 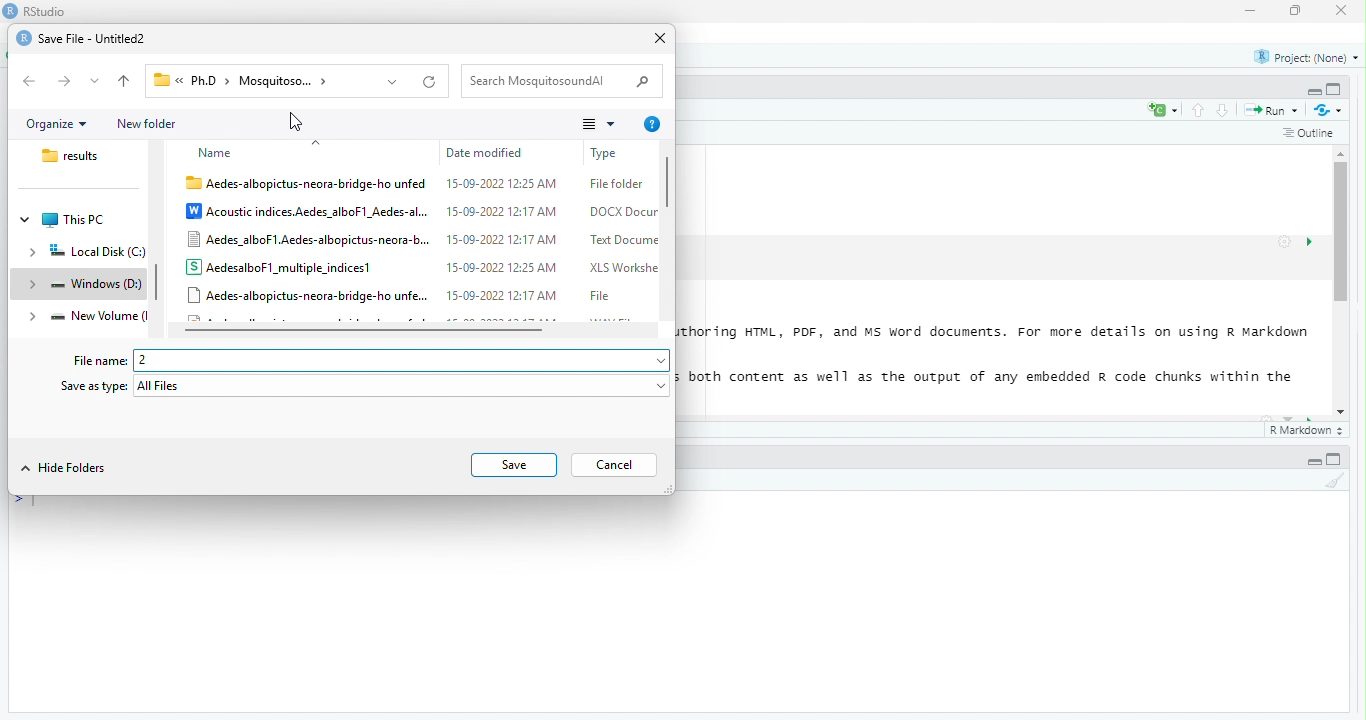 What do you see at coordinates (431, 82) in the screenshot?
I see `reload` at bounding box center [431, 82].